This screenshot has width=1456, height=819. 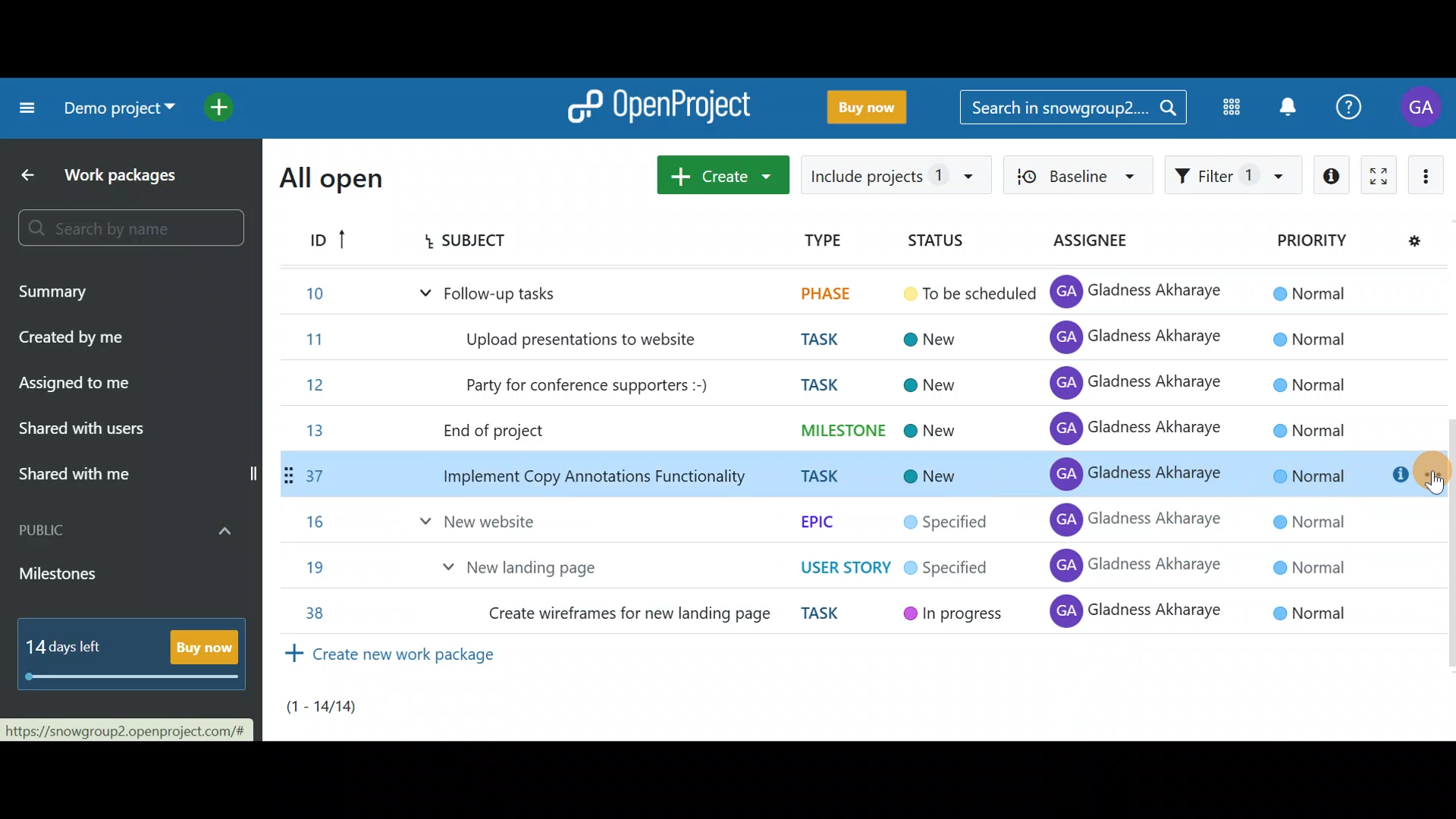 What do you see at coordinates (1308, 384) in the screenshot?
I see `© Normal` at bounding box center [1308, 384].